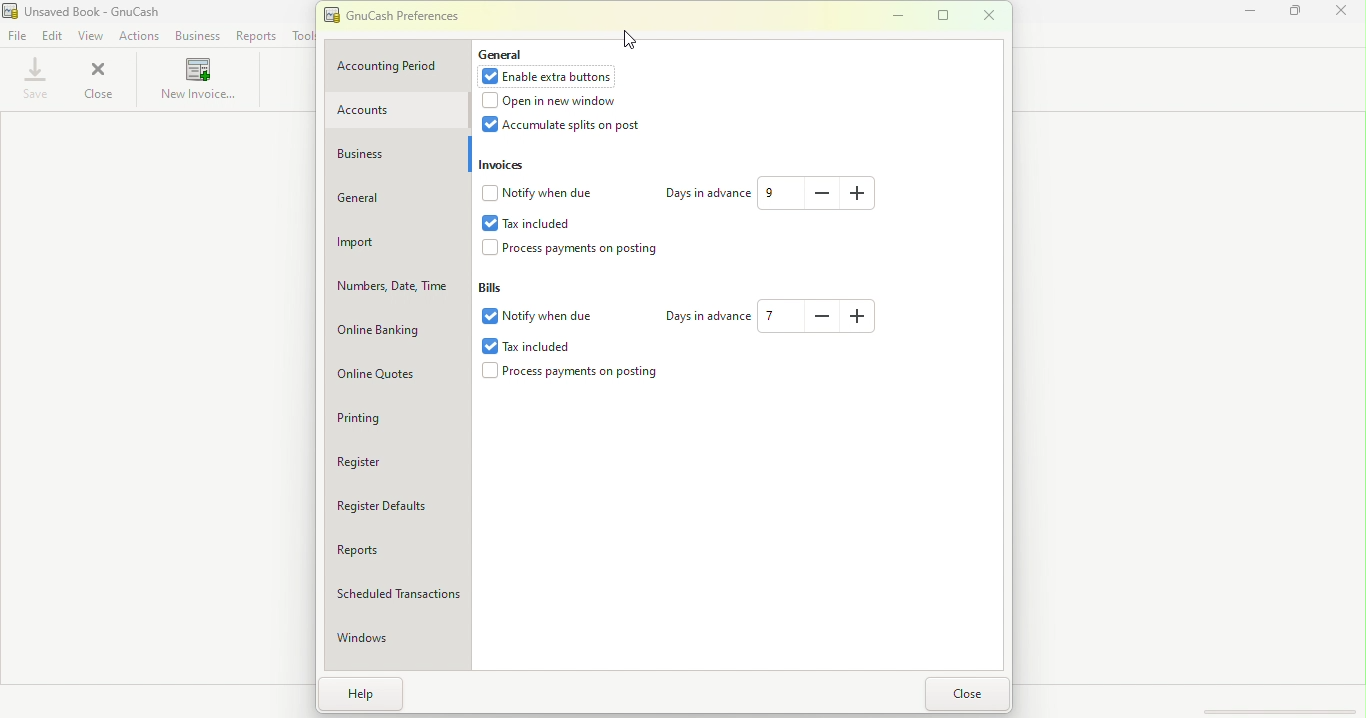  I want to click on Maximize, so click(940, 18).